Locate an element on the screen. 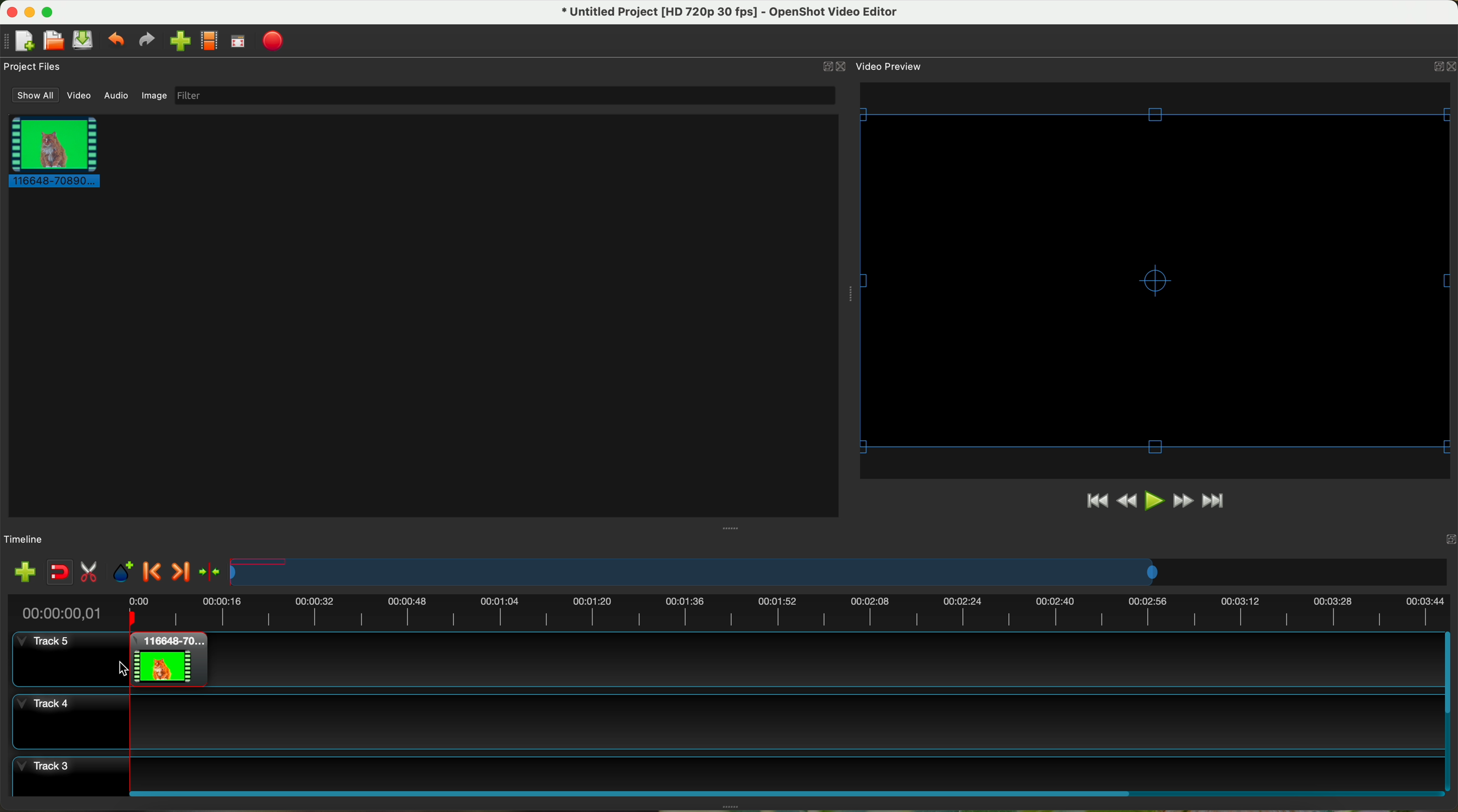  new project is located at coordinates (19, 41).